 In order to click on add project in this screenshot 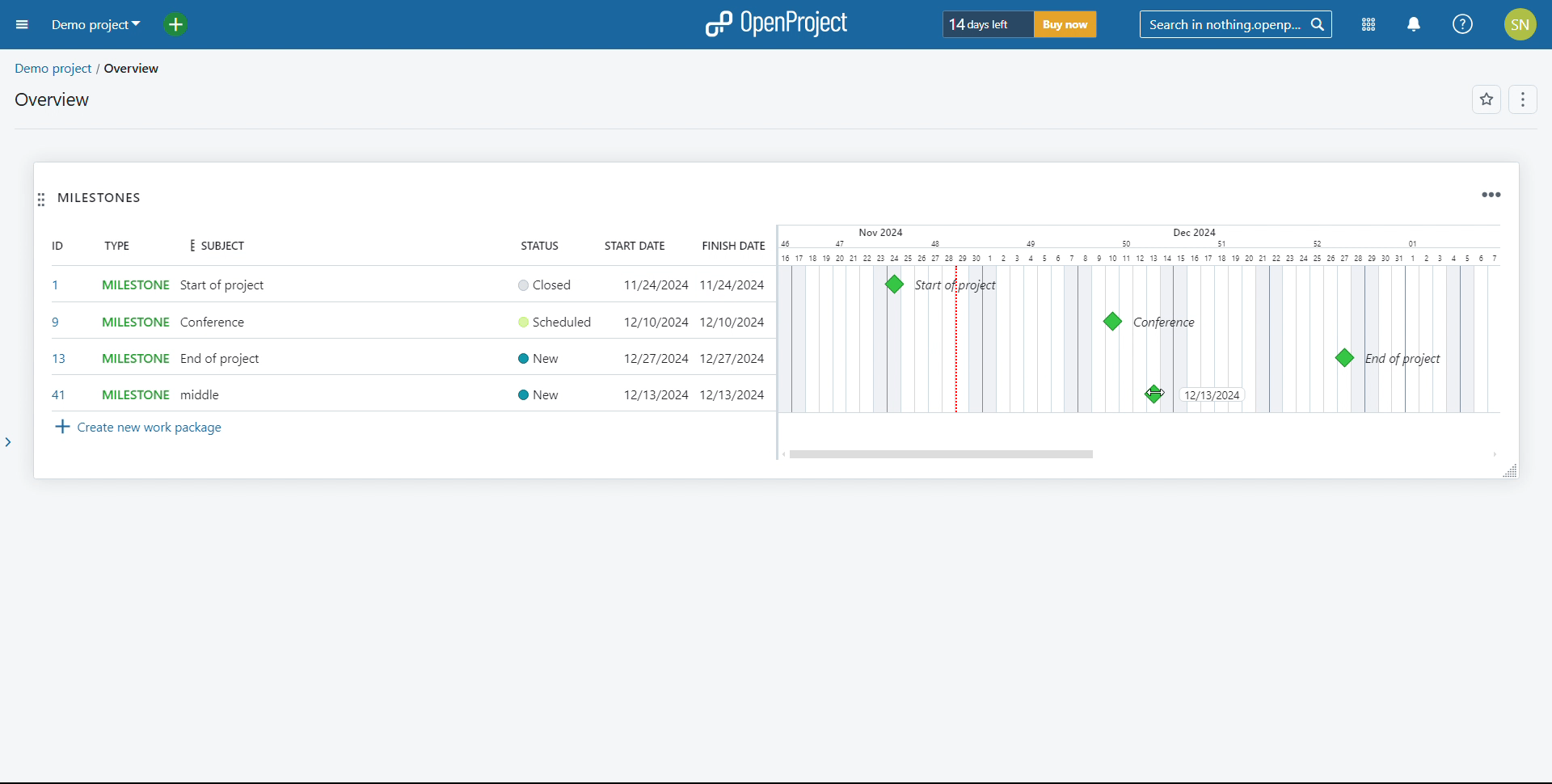, I will do `click(185, 25)`.